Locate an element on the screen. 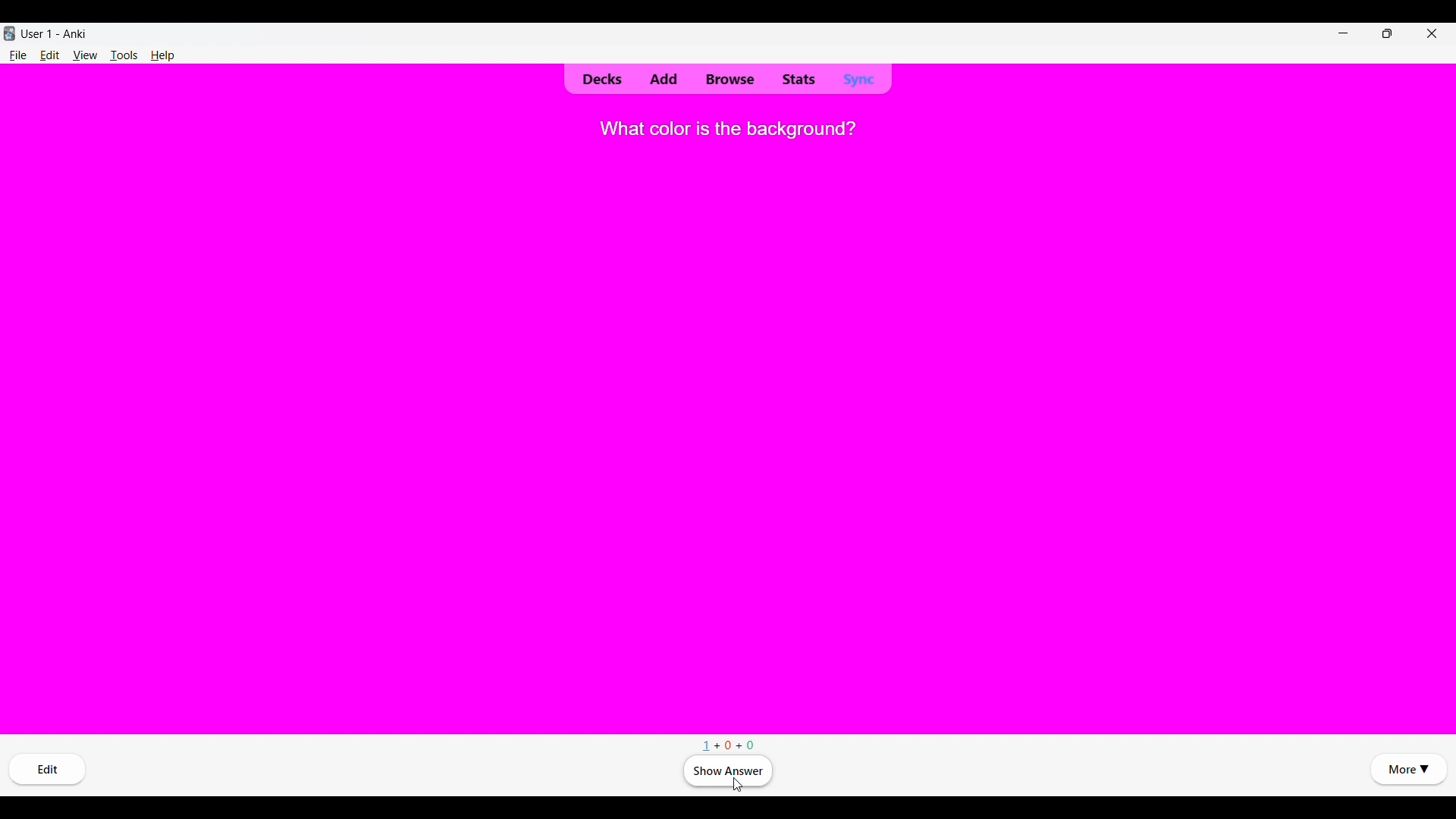  Number of cards in New, Learning and Review respectively is located at coordinates (730, 745).